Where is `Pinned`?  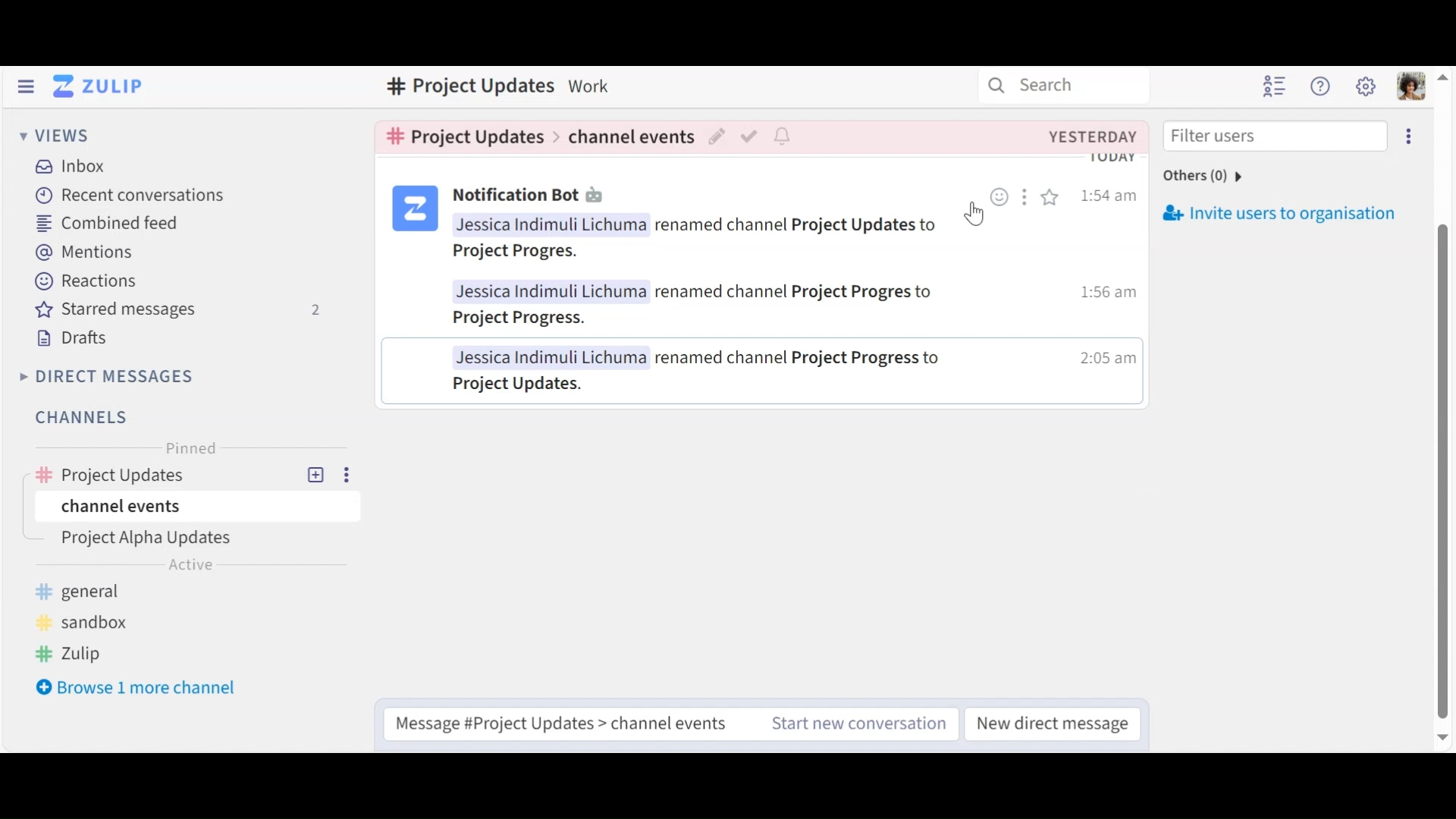
Pinned is located at coordinates (192, 448).